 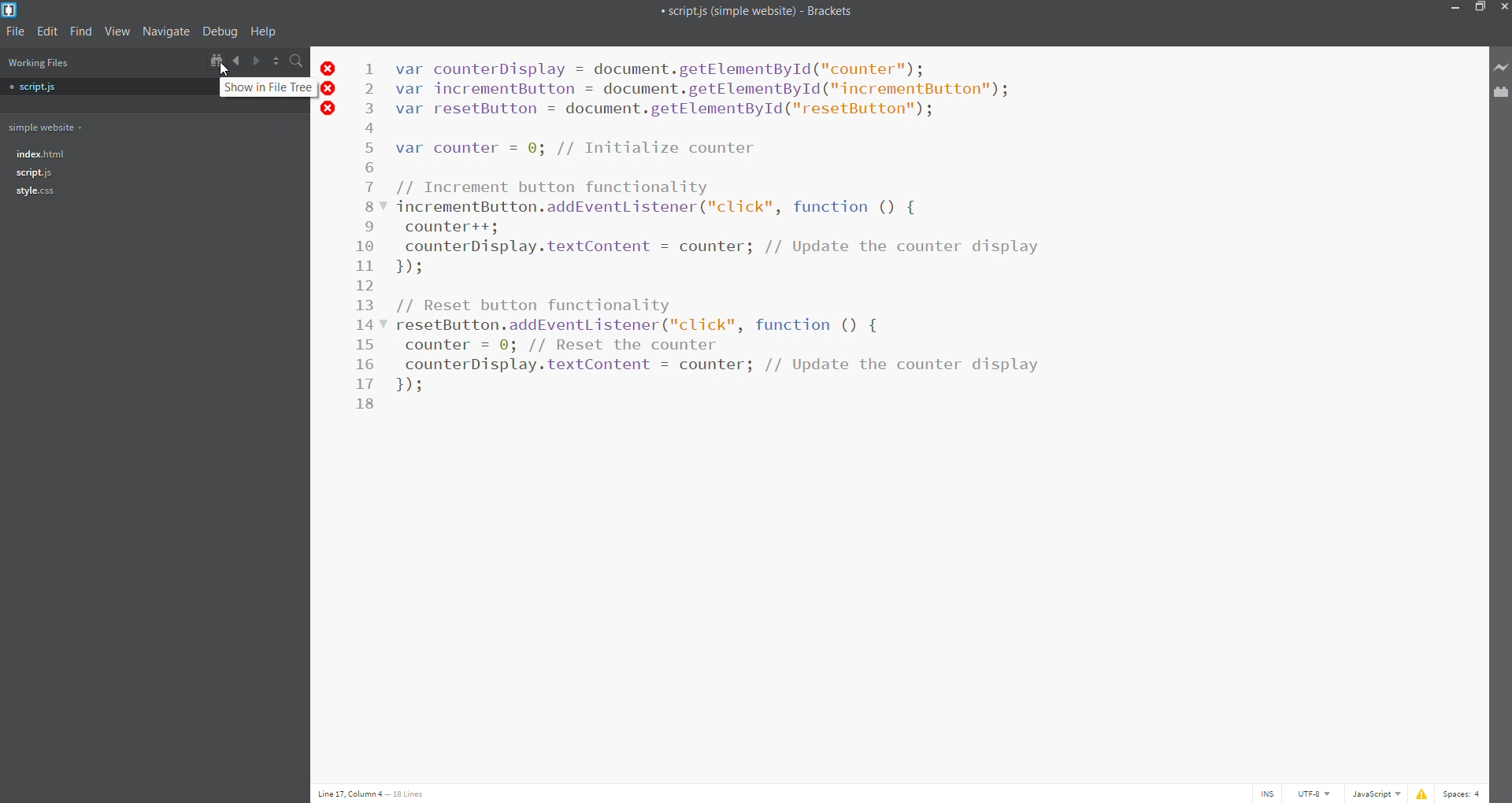 I want to click on show errors, so click(x=1421, y=793).